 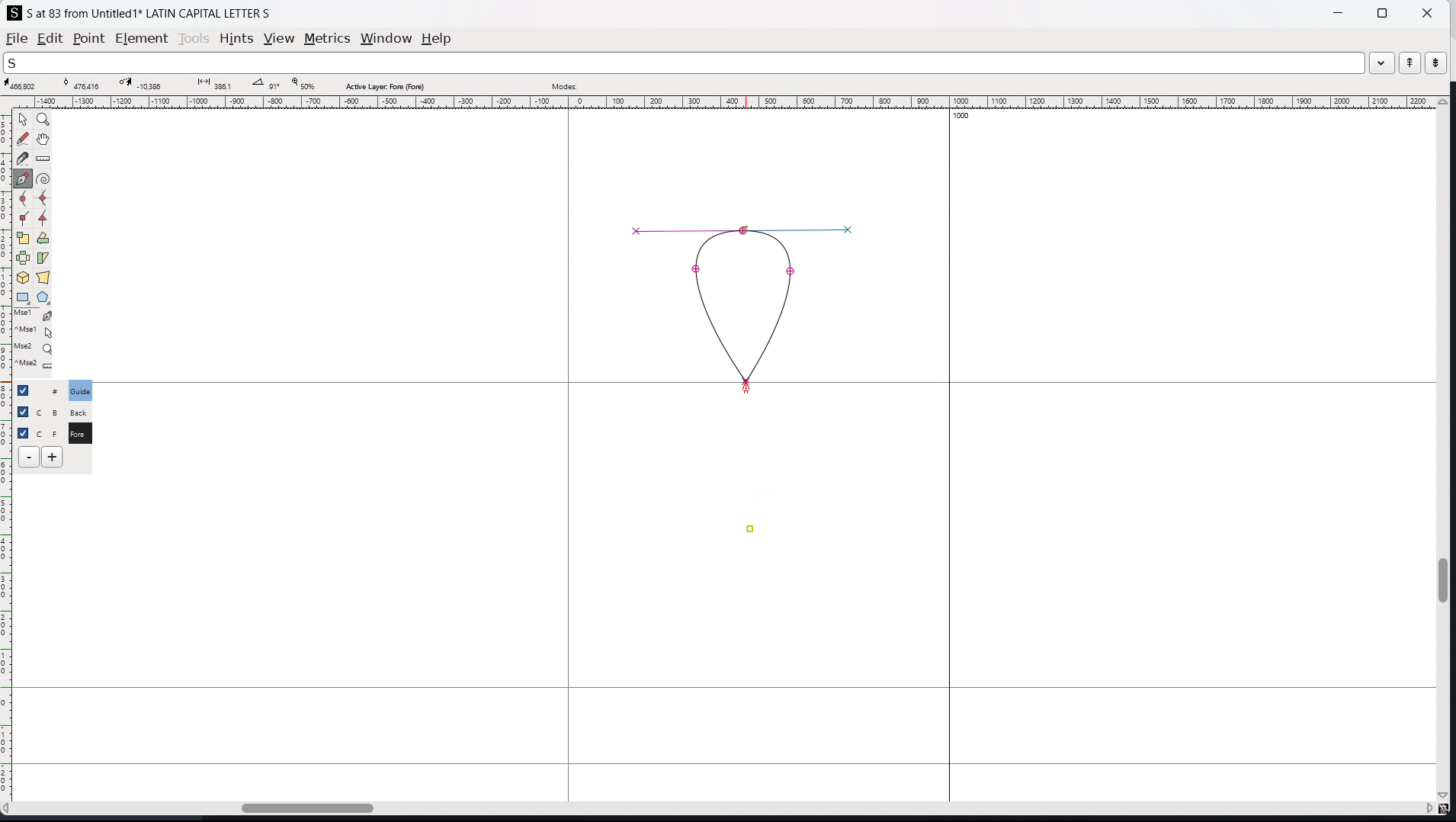 I want to click on flip the selection, so click(x=23, y=258).